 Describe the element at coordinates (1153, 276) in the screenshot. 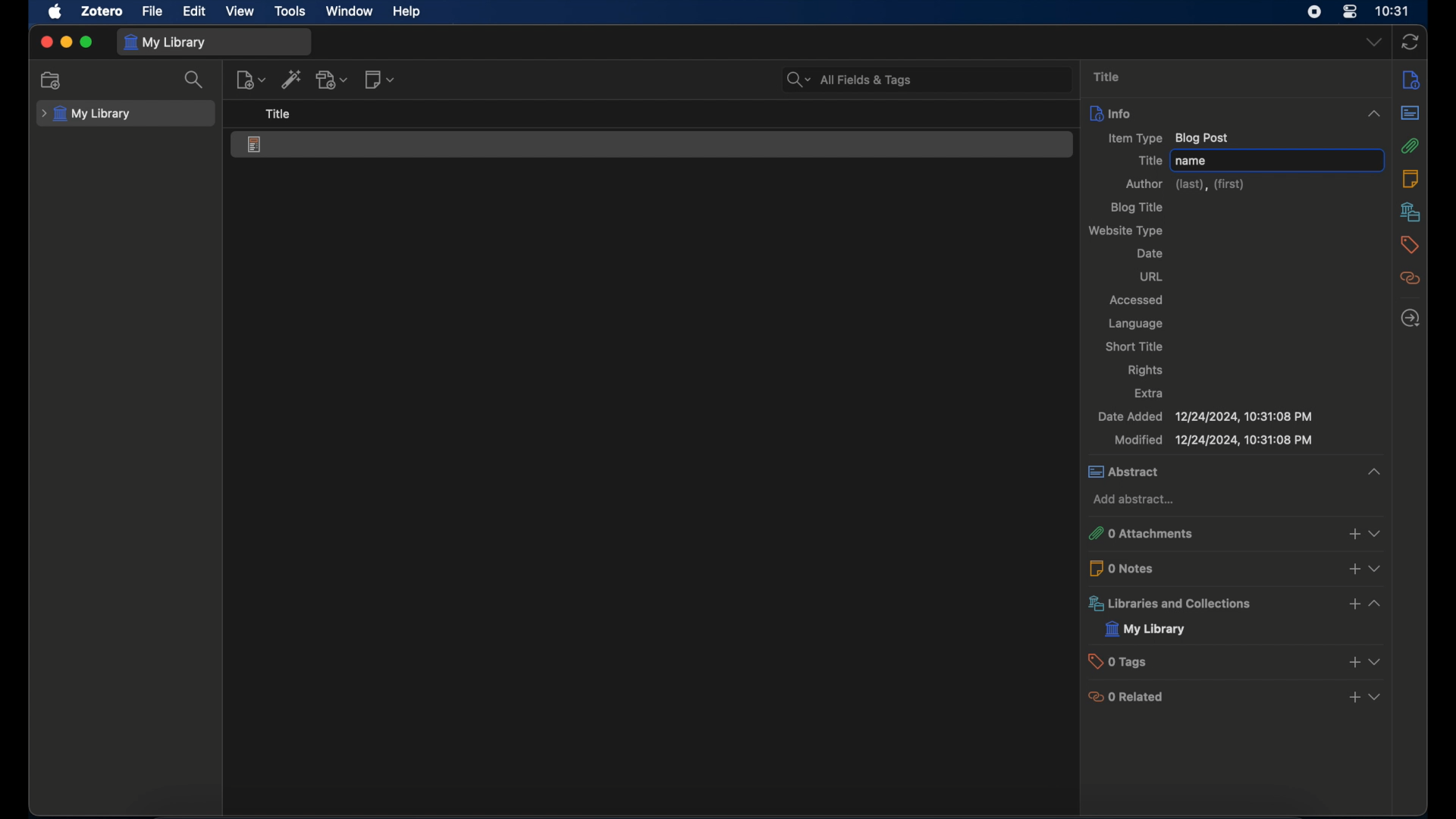

I see `url` at that location.